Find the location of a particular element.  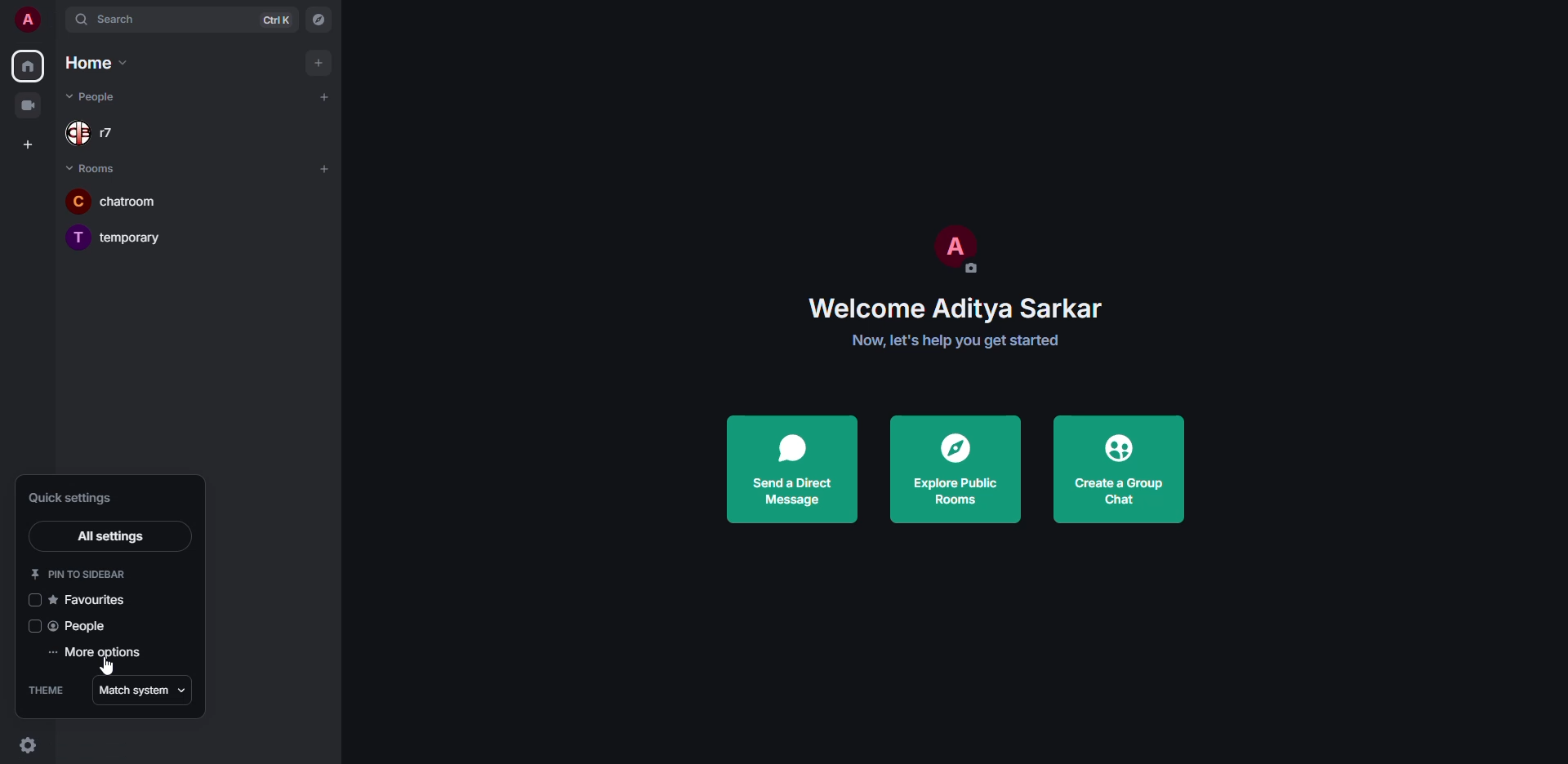

add is located at coordinates (319, 62).